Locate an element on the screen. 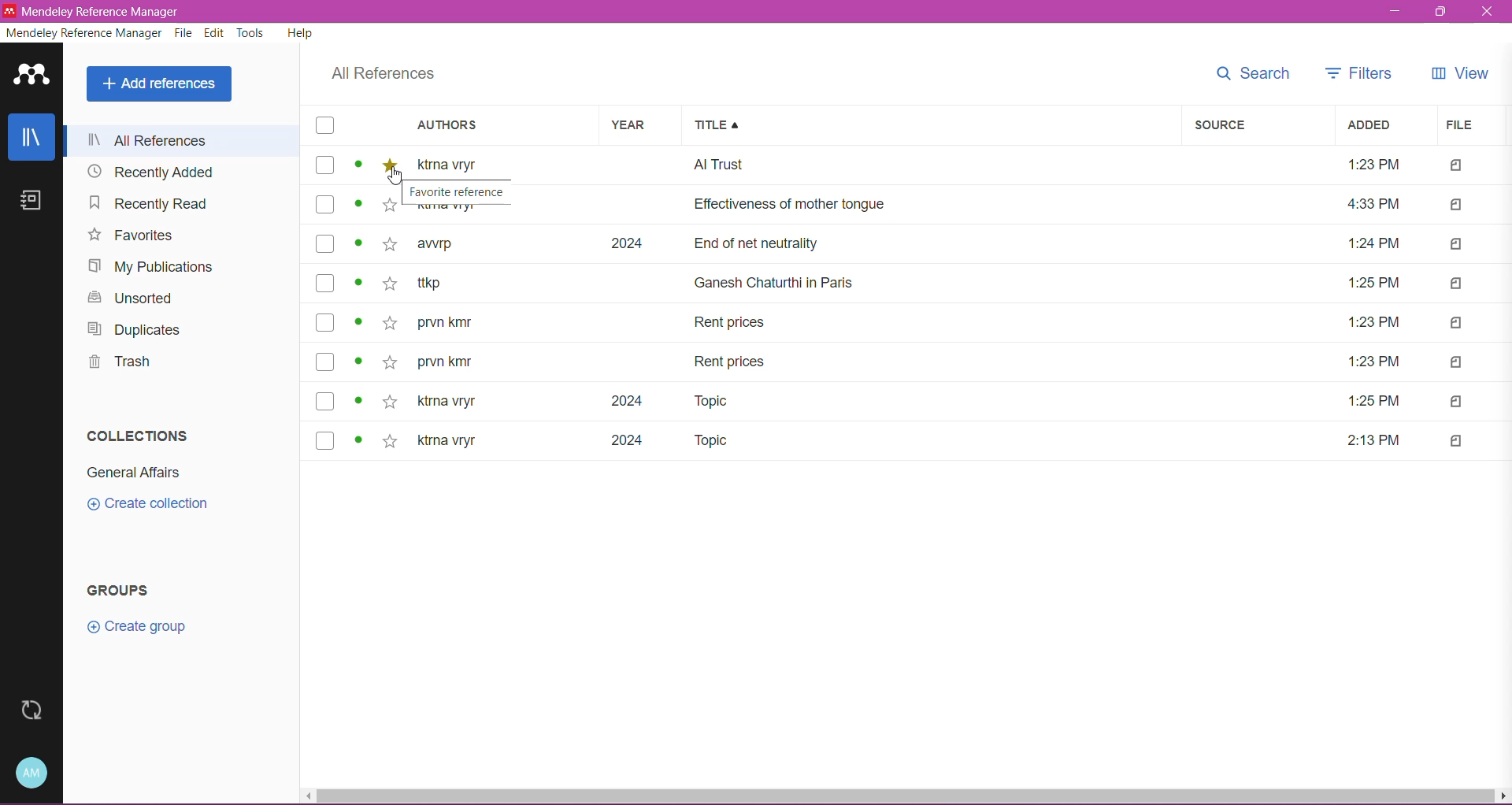 This screenshot has width=1512, height=805. All References is located at coordinates (181, 139).